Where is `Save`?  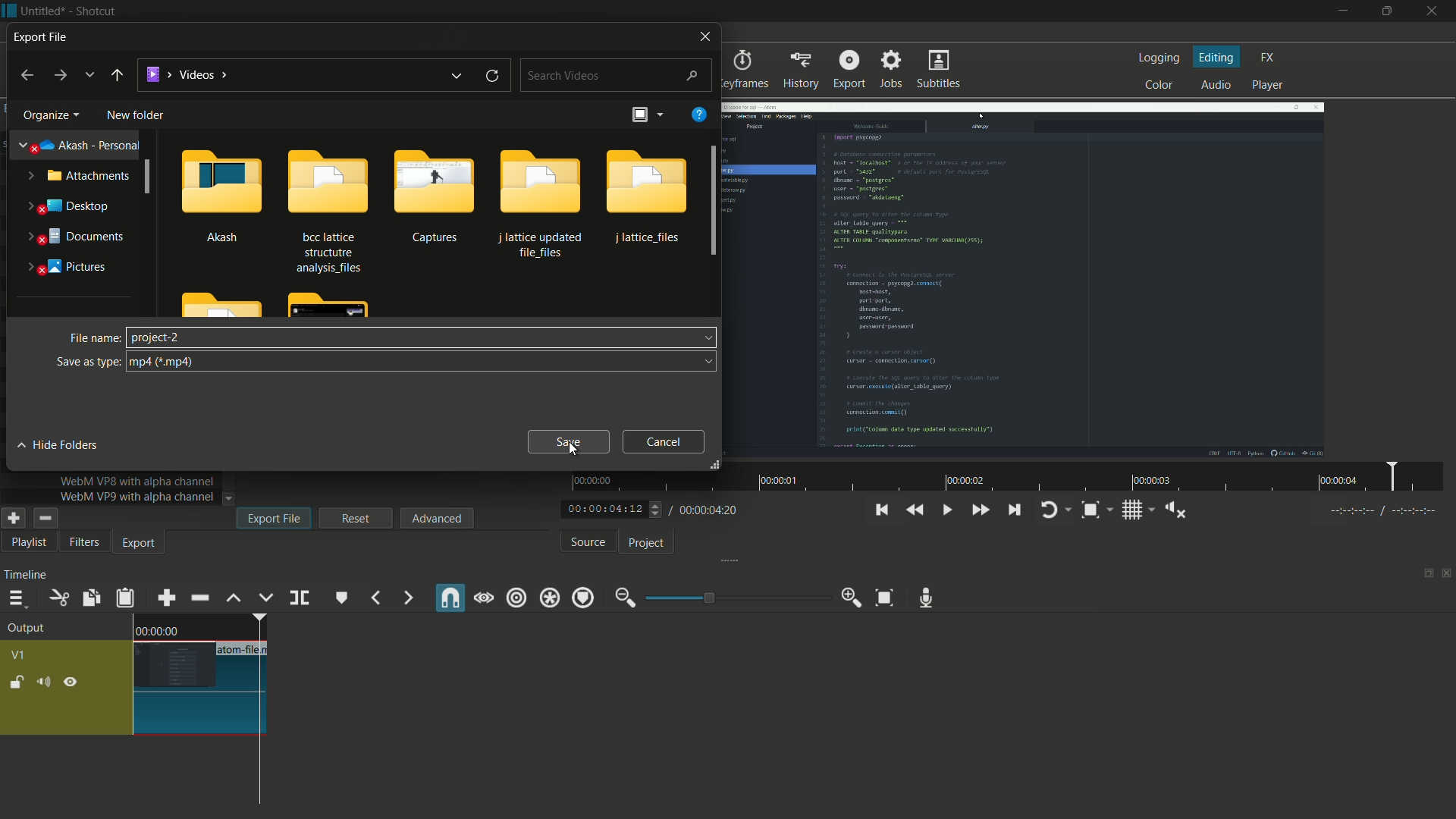 Save is located at coordinates (570, 442).